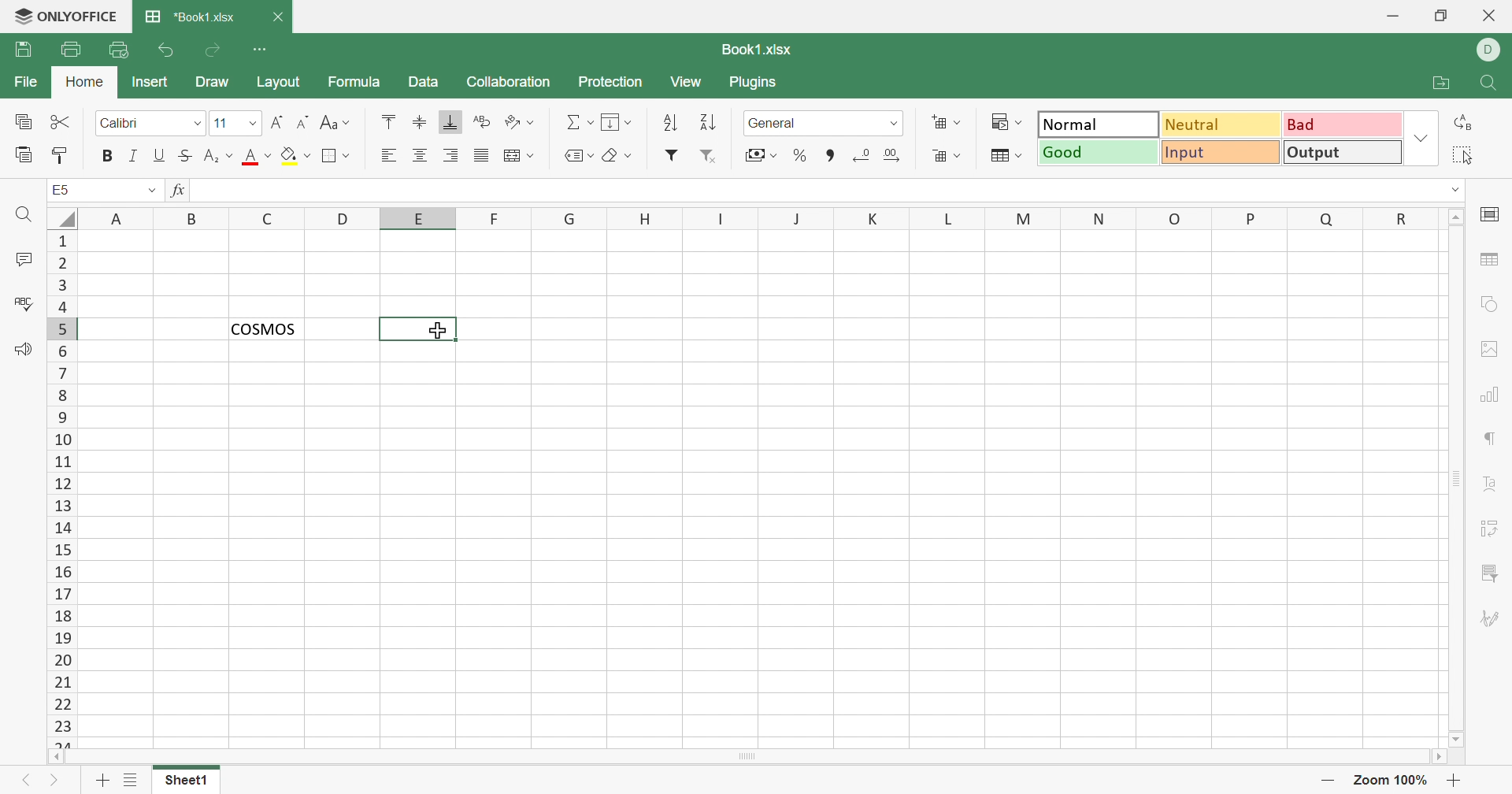 This screenshot has height=794, width=1512. Describe the element at coordinates (425, 82) in the screenshot. I see `Data` at that location.